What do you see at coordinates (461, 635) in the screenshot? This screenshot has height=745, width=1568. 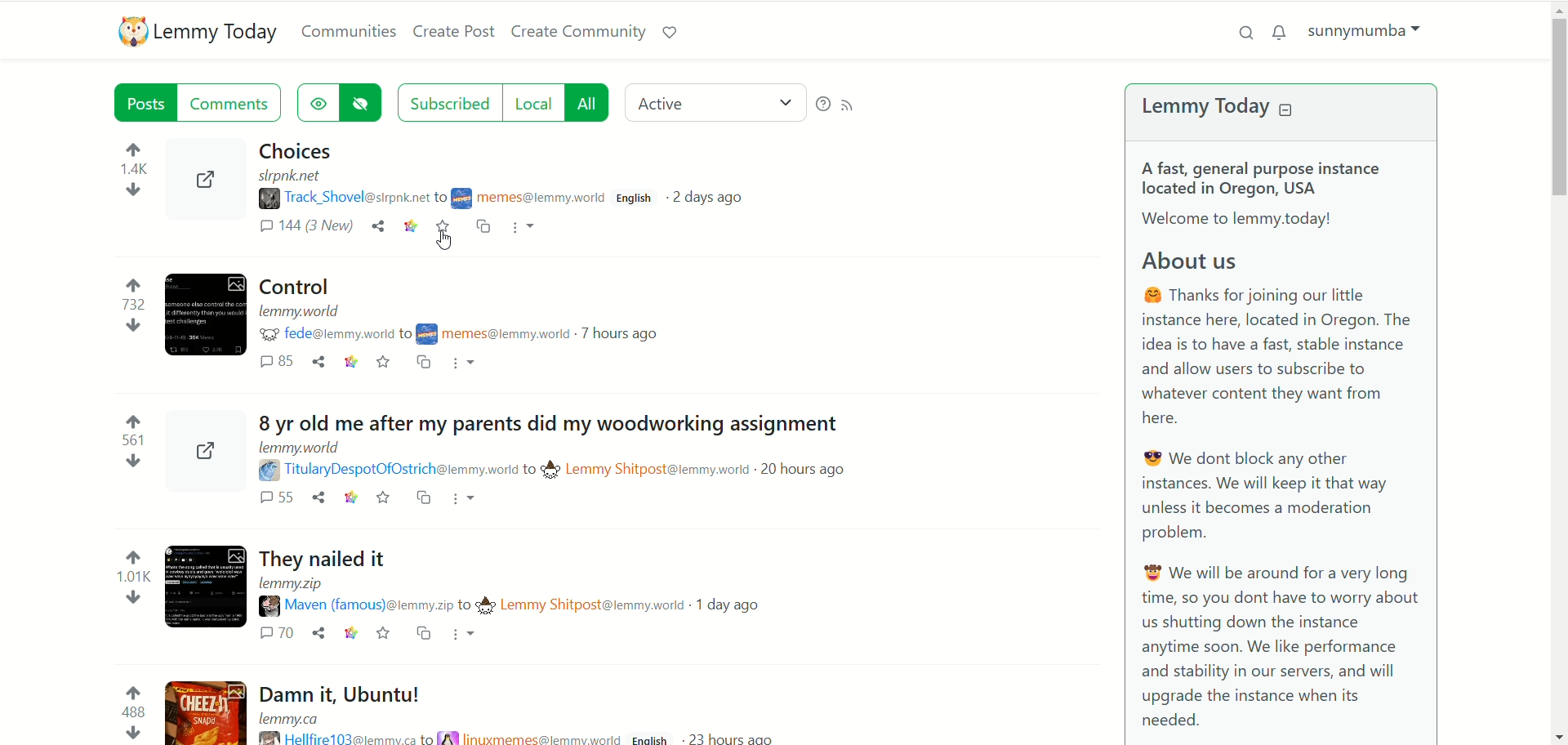 I see `More` at bounding box center [461, 635].